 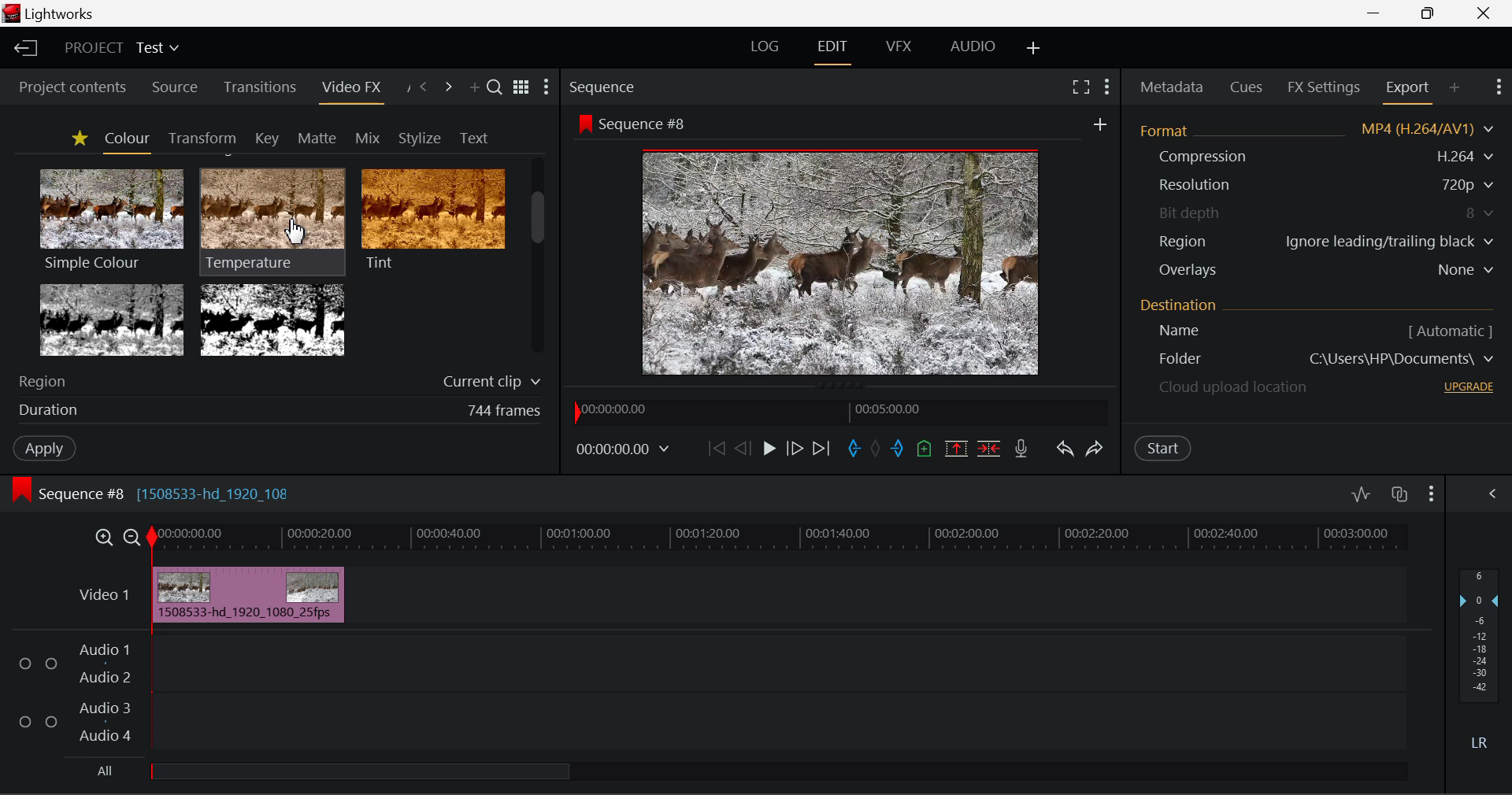 What do you see at coordinates (1360, 492) in the screenshot?
I see `Toggle audio levels editing` at bounding box center [1360, 492].